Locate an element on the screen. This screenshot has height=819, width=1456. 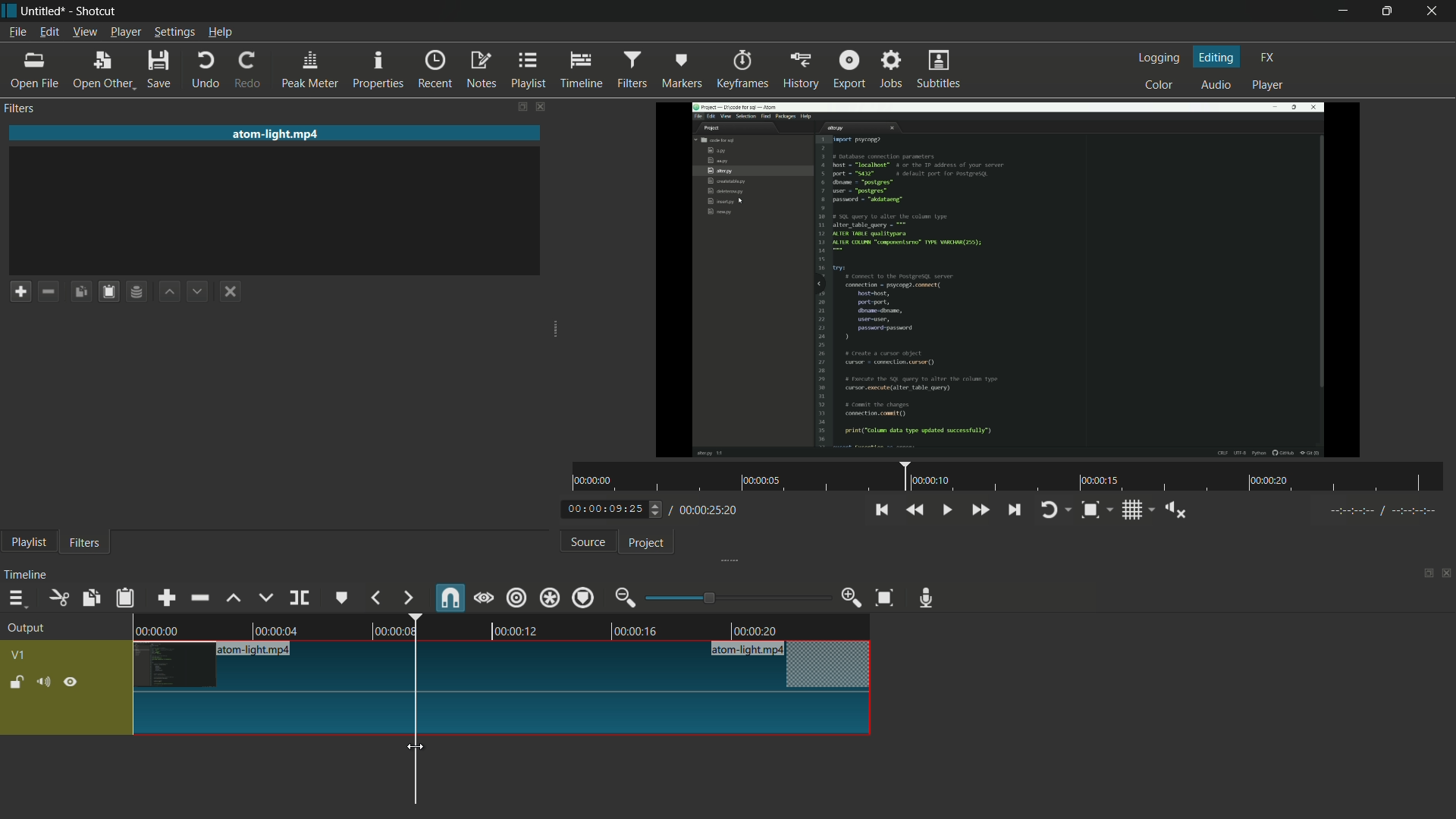
player menu is located at coordinates (125, 32).